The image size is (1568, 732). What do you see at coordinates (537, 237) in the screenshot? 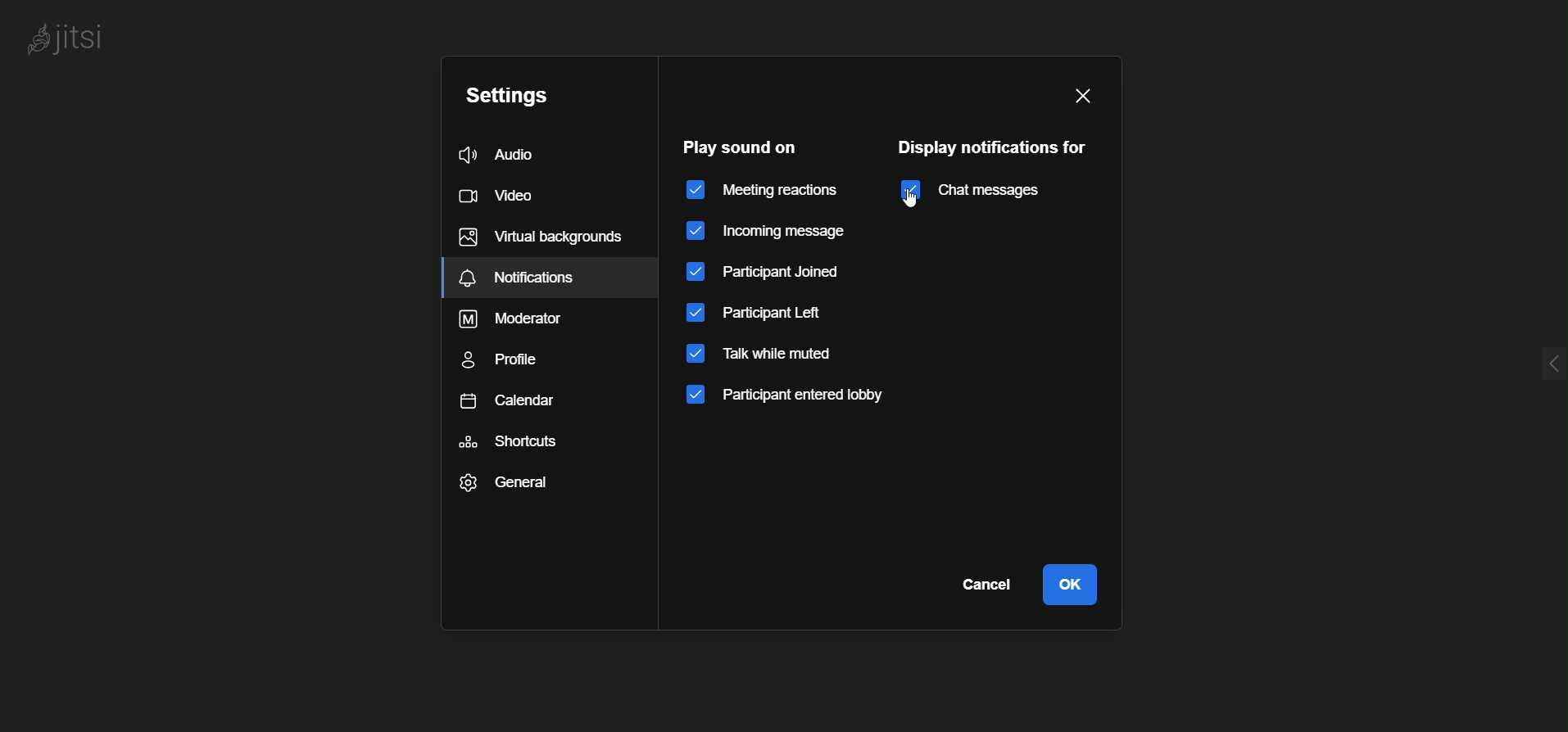
I see `notifications` at bounding box center [537, 237].